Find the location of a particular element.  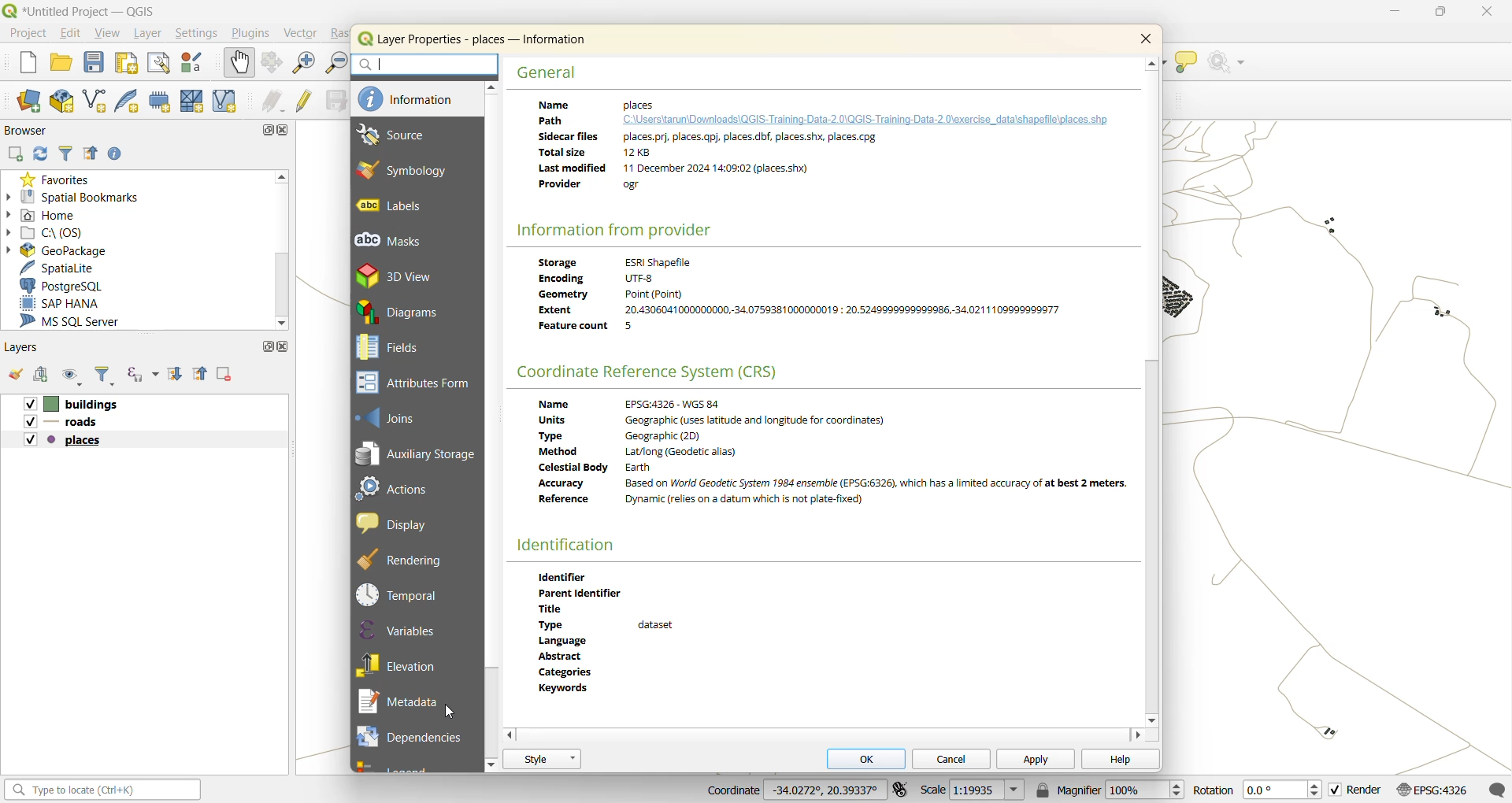

joins is located at coordinates (390, 417).